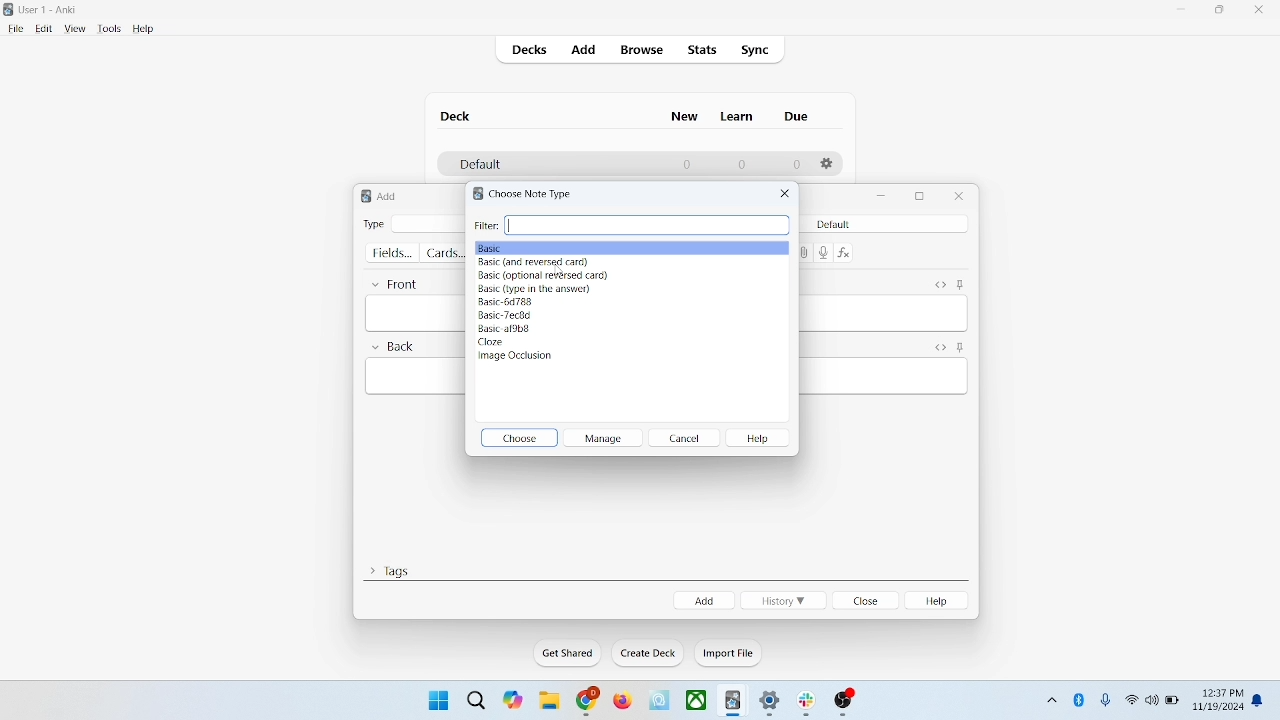 The image size is (1280, 720). I want to click on record audio, so click(824, 254).